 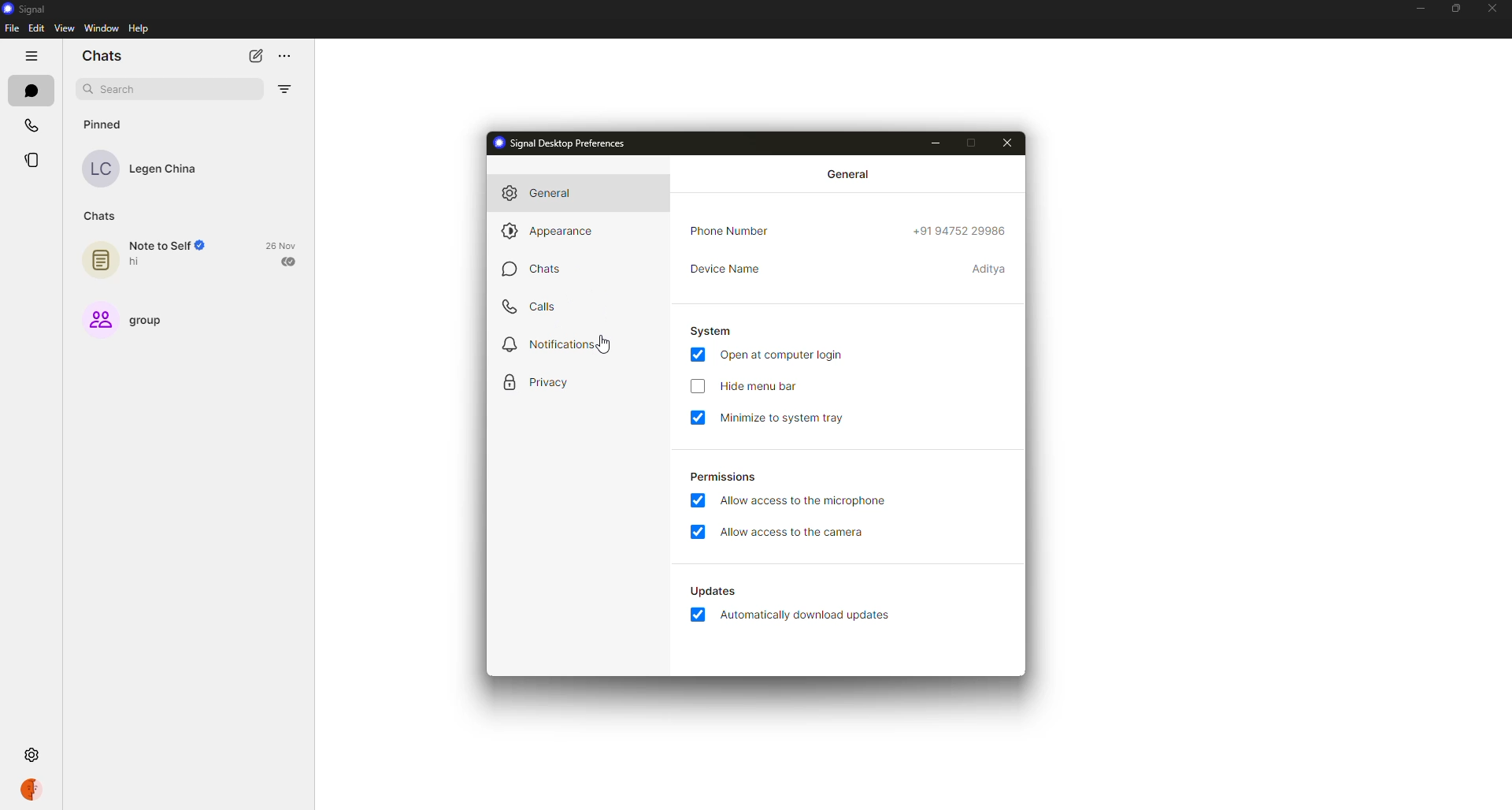 What do you see at coordinates (695, 417) in the screenshot?
I see `enabled` at bounding box center [695, 417].